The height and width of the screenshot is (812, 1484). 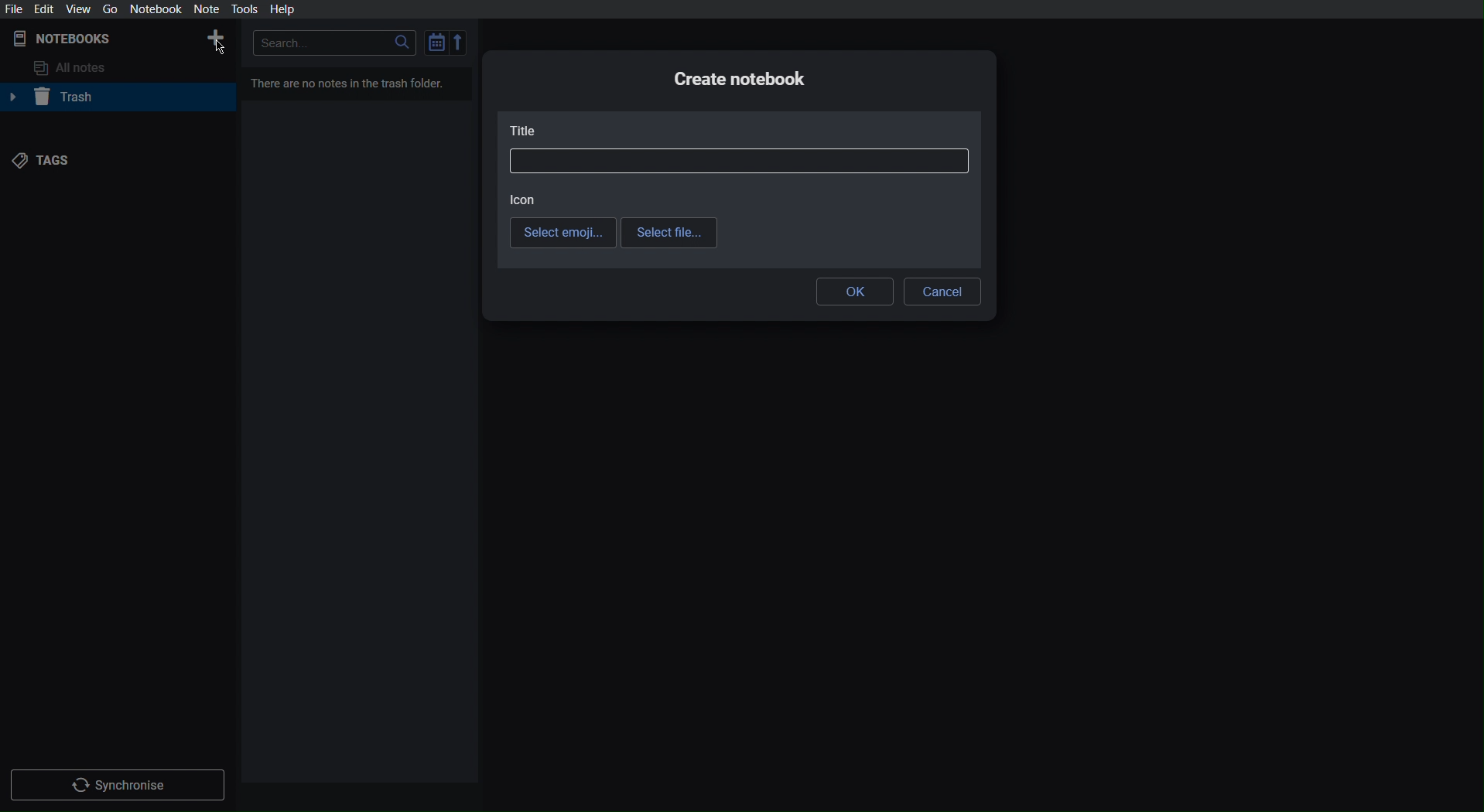 I want to click on Create notebook, so click(x=739, y=80).